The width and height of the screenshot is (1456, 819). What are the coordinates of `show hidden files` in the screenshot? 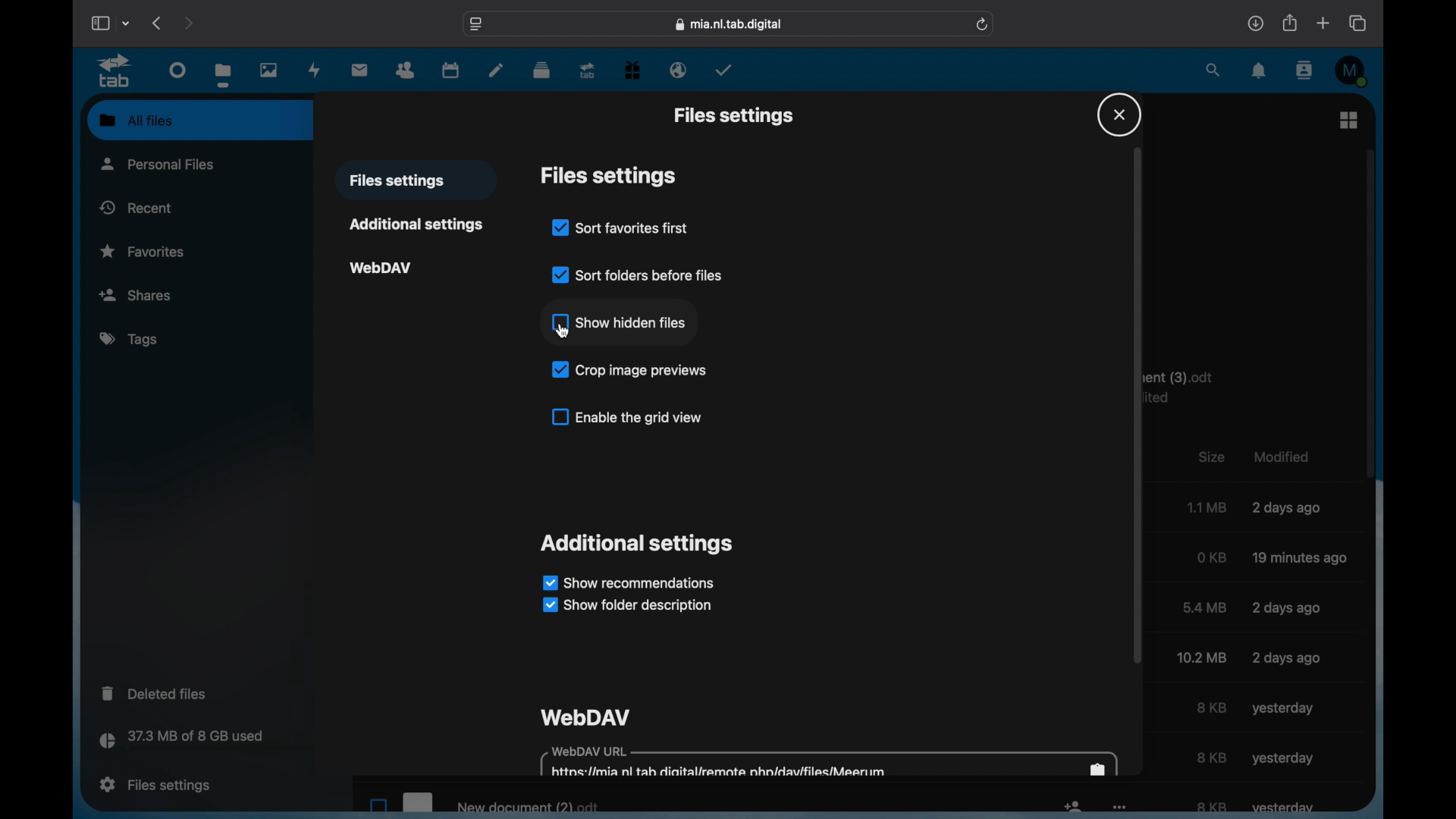 It's located at (619, 322).